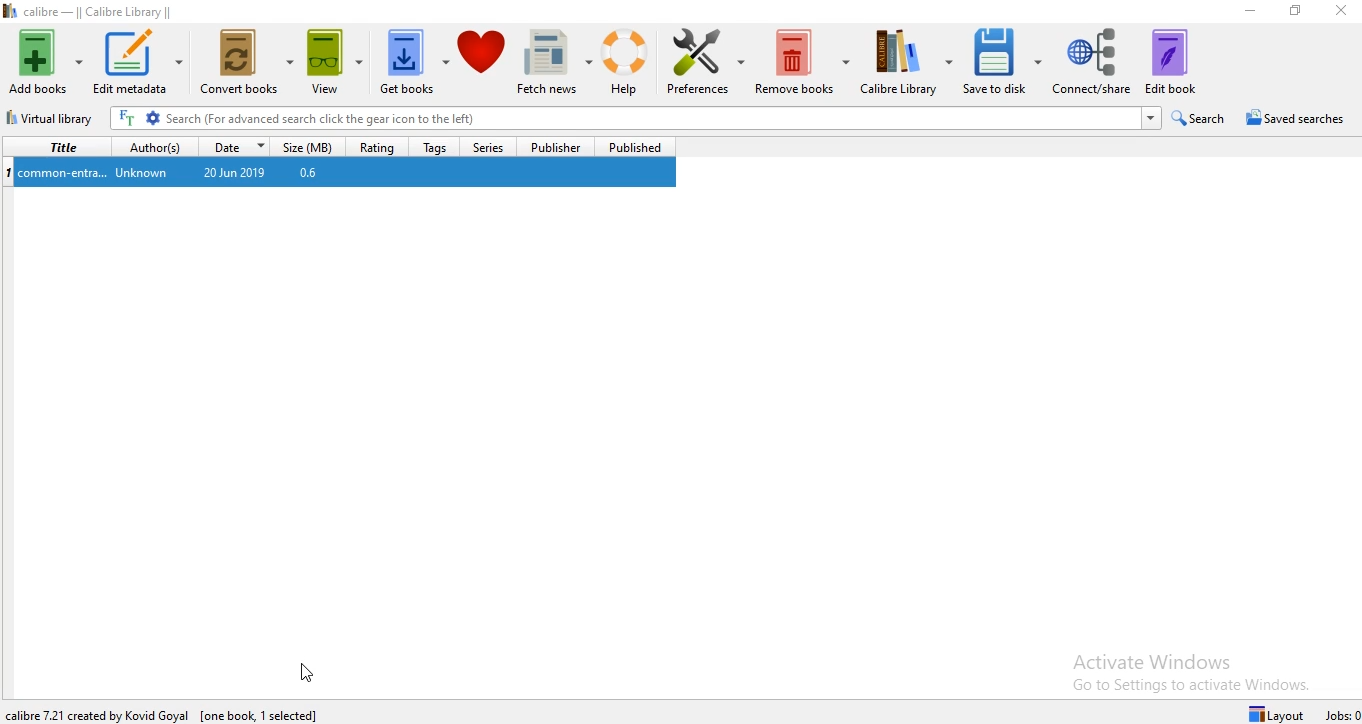 Image resolution: width=1362 pixels, height=724 pixels. What do you see at coordinates (1003, 60) in the screenshot?
I see `Save to diski` at bounding box center [1003, 60].